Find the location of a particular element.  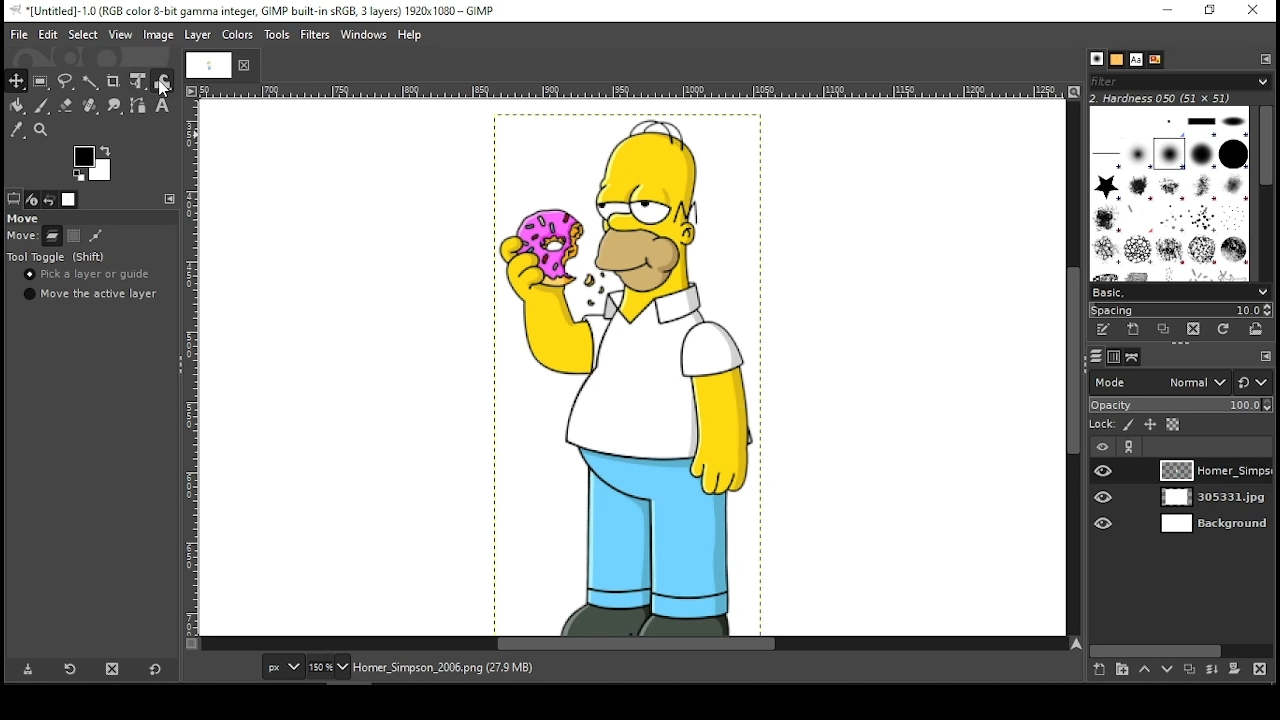

undo history is located at coordinates (49, 199).